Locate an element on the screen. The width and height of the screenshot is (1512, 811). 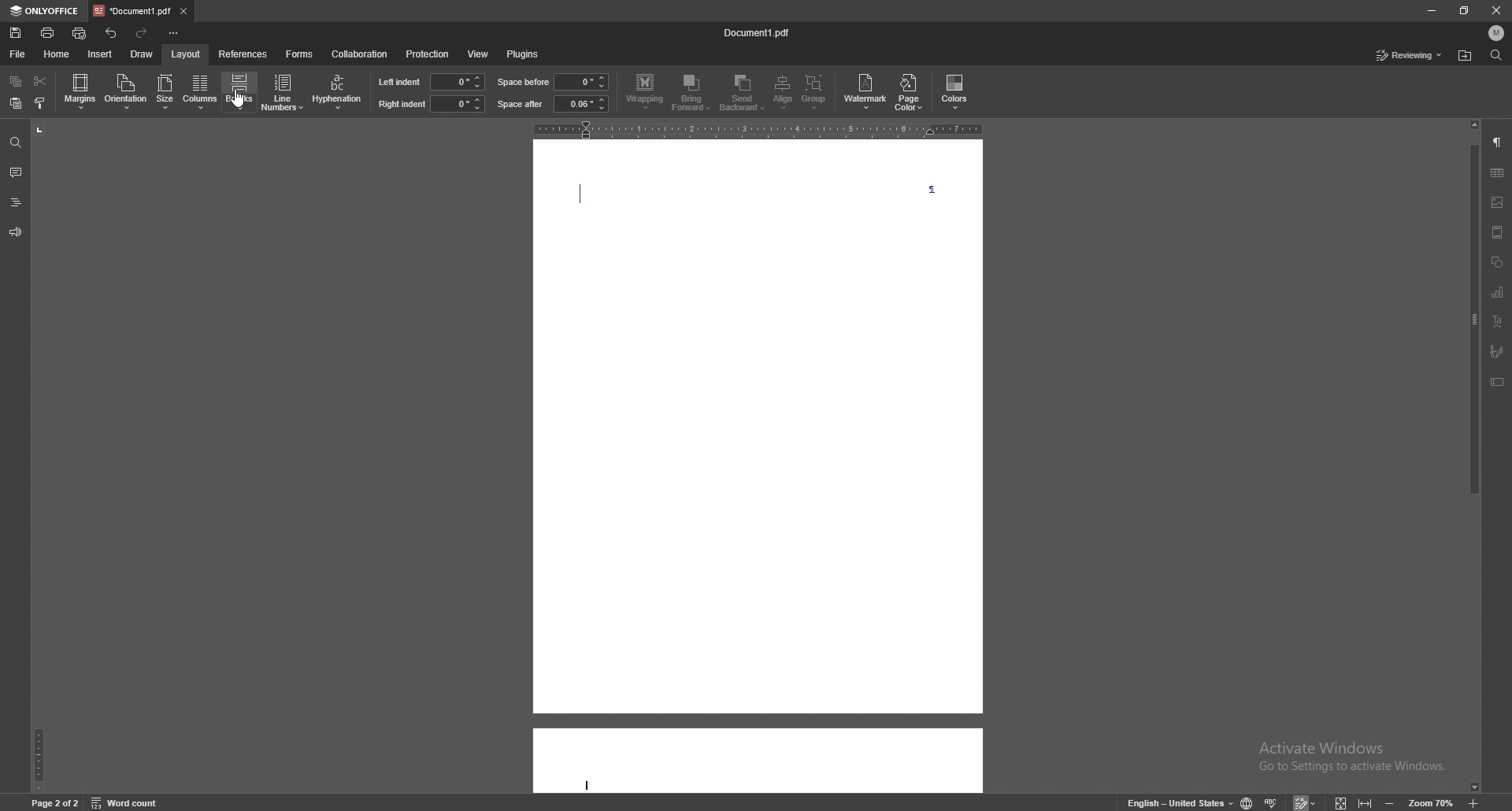
chart is located at coordinates (1495, 291).